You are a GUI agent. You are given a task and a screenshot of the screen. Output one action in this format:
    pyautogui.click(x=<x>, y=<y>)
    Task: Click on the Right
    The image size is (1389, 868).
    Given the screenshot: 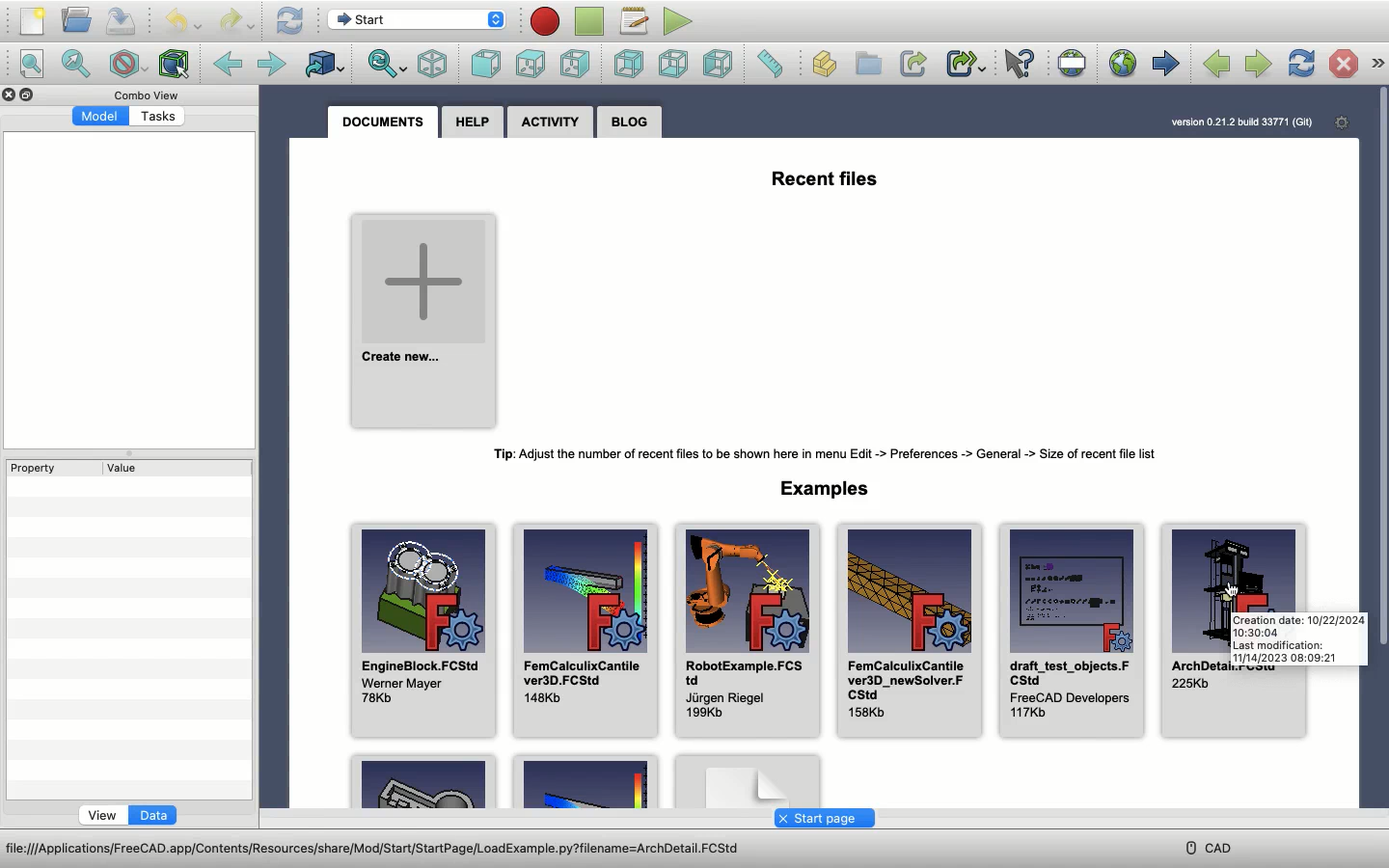 What is the action you would take?
    pyautogui.click(x=578, y=63)
    